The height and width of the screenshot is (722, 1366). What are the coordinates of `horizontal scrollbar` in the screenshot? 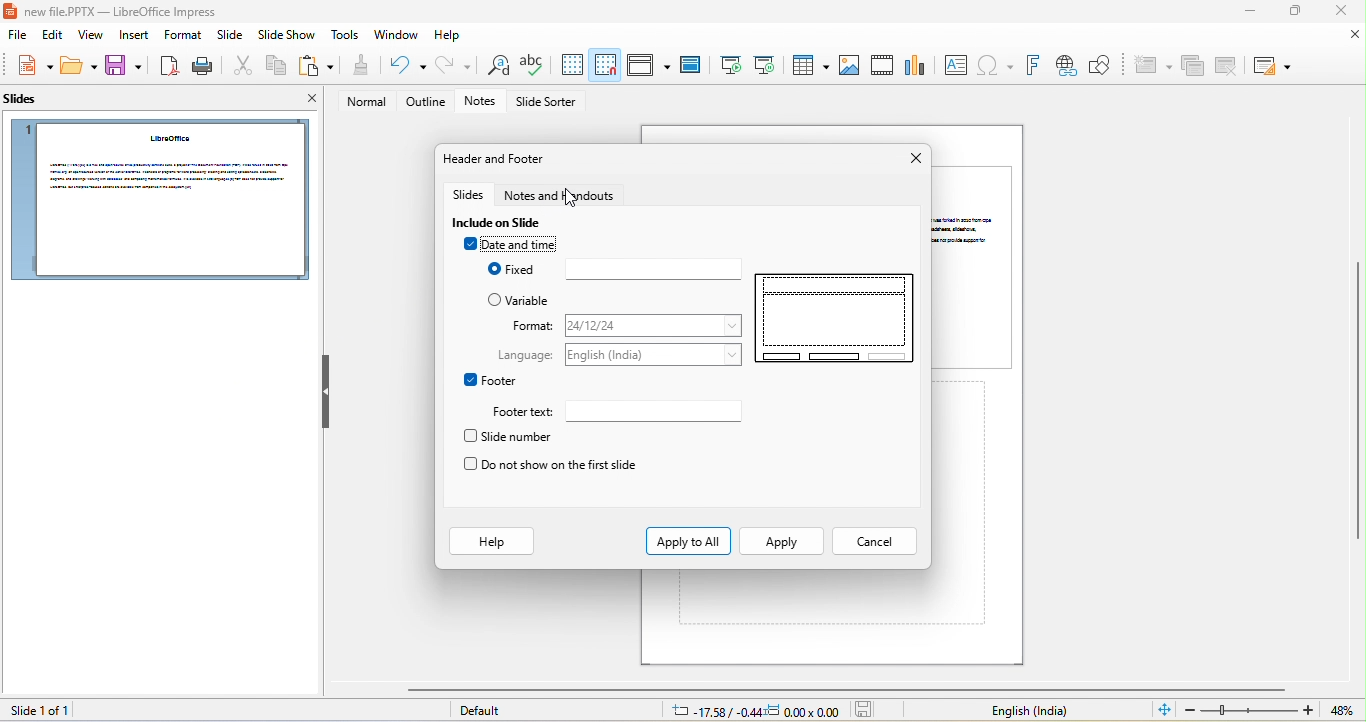 It's located at (845, 689).